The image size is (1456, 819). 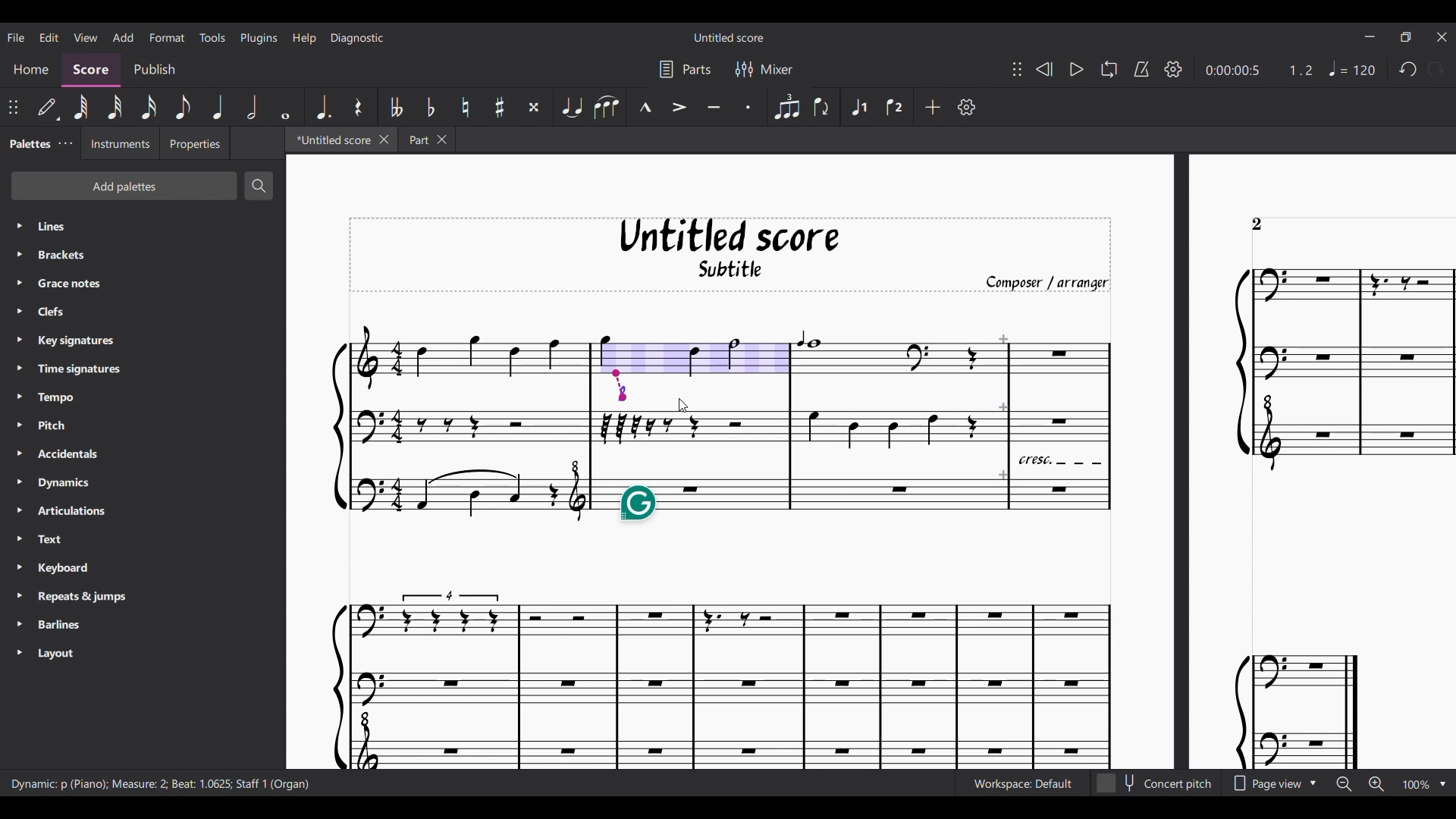 What do you see at coordinates (824, 107) in the screenshot?
I see `Flip direction` at bounding box center [824, 107].